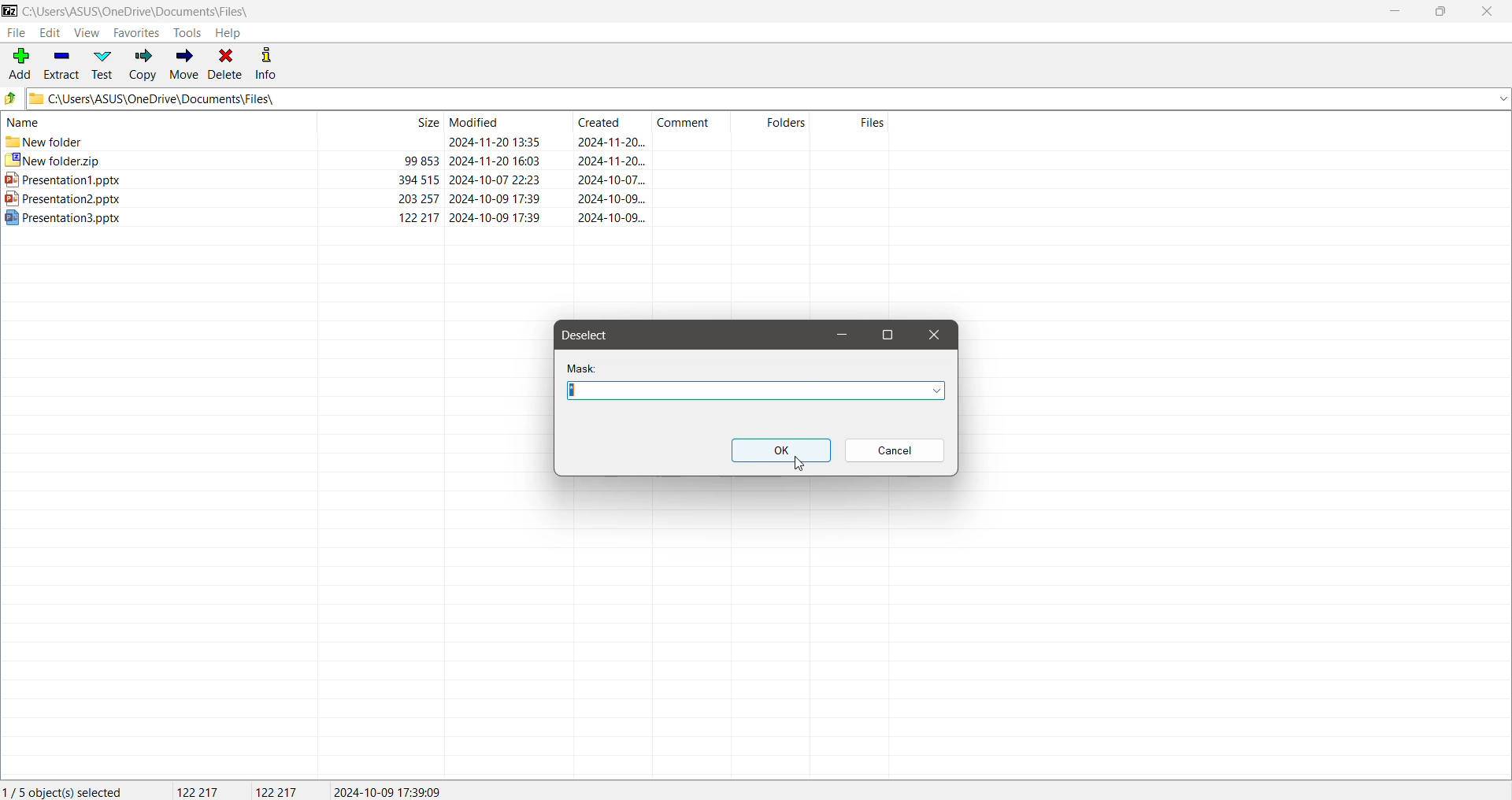 The width and height of the screenshot is (1512, 800). What do you see at coordinates (61, 64) in the screenshot?
I see `Extract` at bounding box center [61, 64].